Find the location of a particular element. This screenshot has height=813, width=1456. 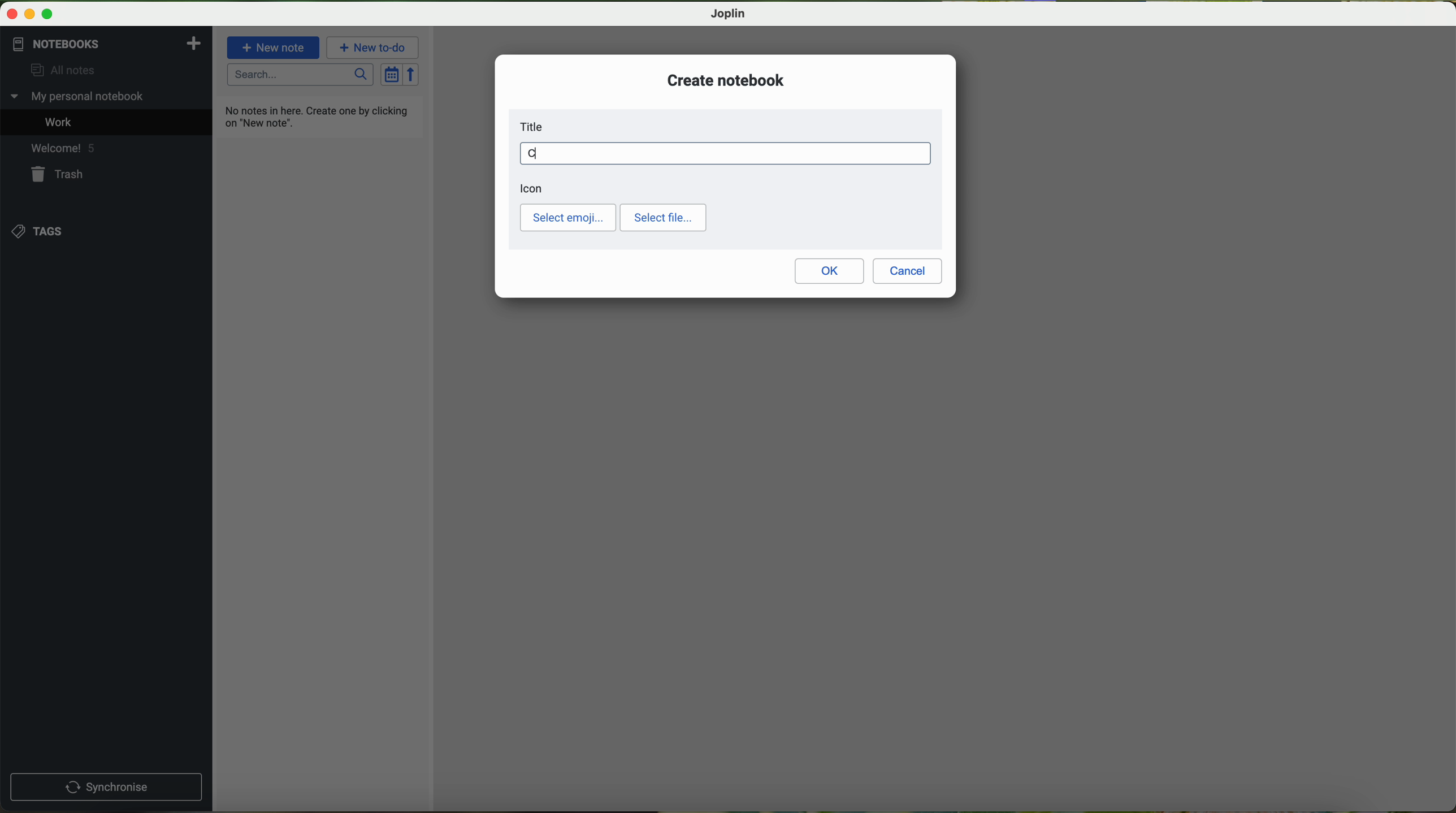

 is located at coordinates (391, 75).